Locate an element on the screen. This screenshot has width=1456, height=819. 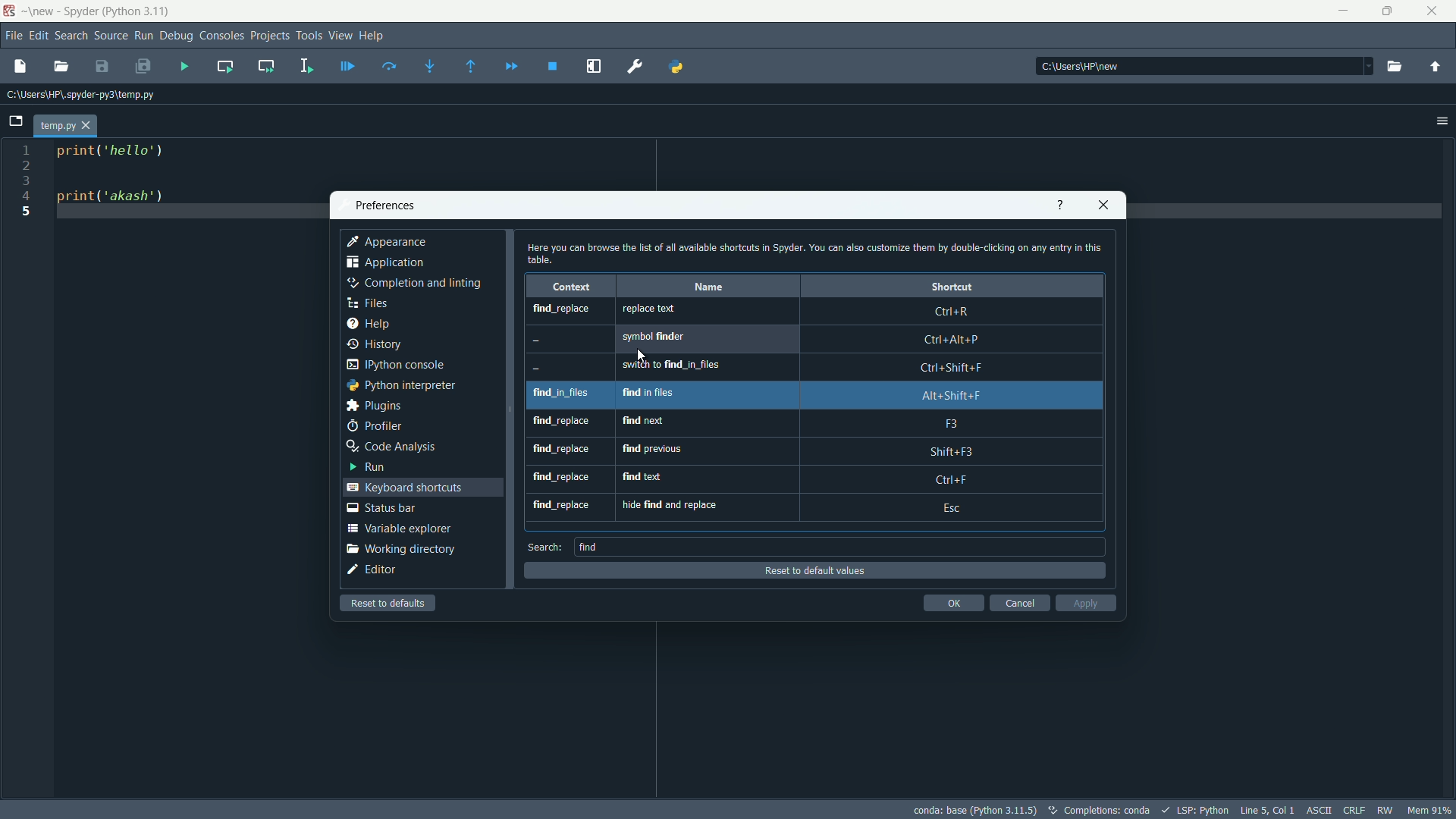
appearance  is located at coordinates (388, 243).